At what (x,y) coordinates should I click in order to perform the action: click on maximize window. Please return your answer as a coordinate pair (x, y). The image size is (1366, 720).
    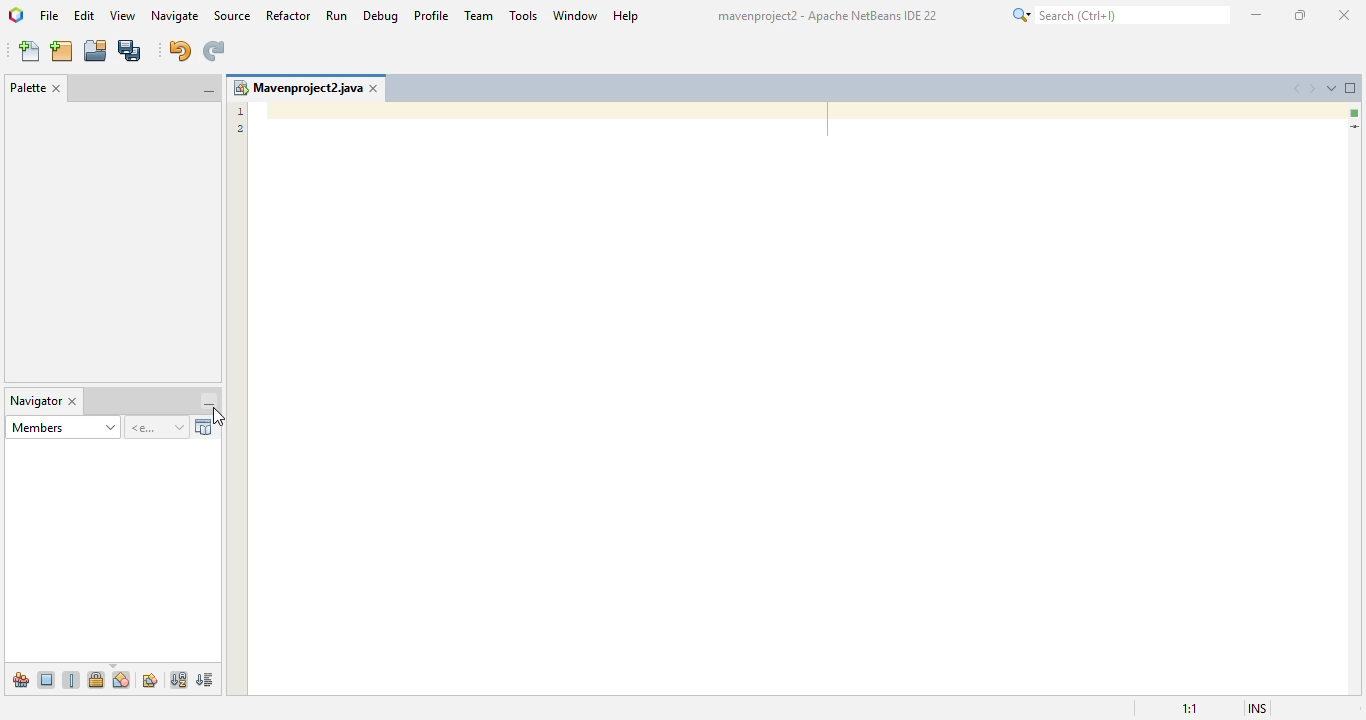
    Looking at the image, I should click on (1351, 87).